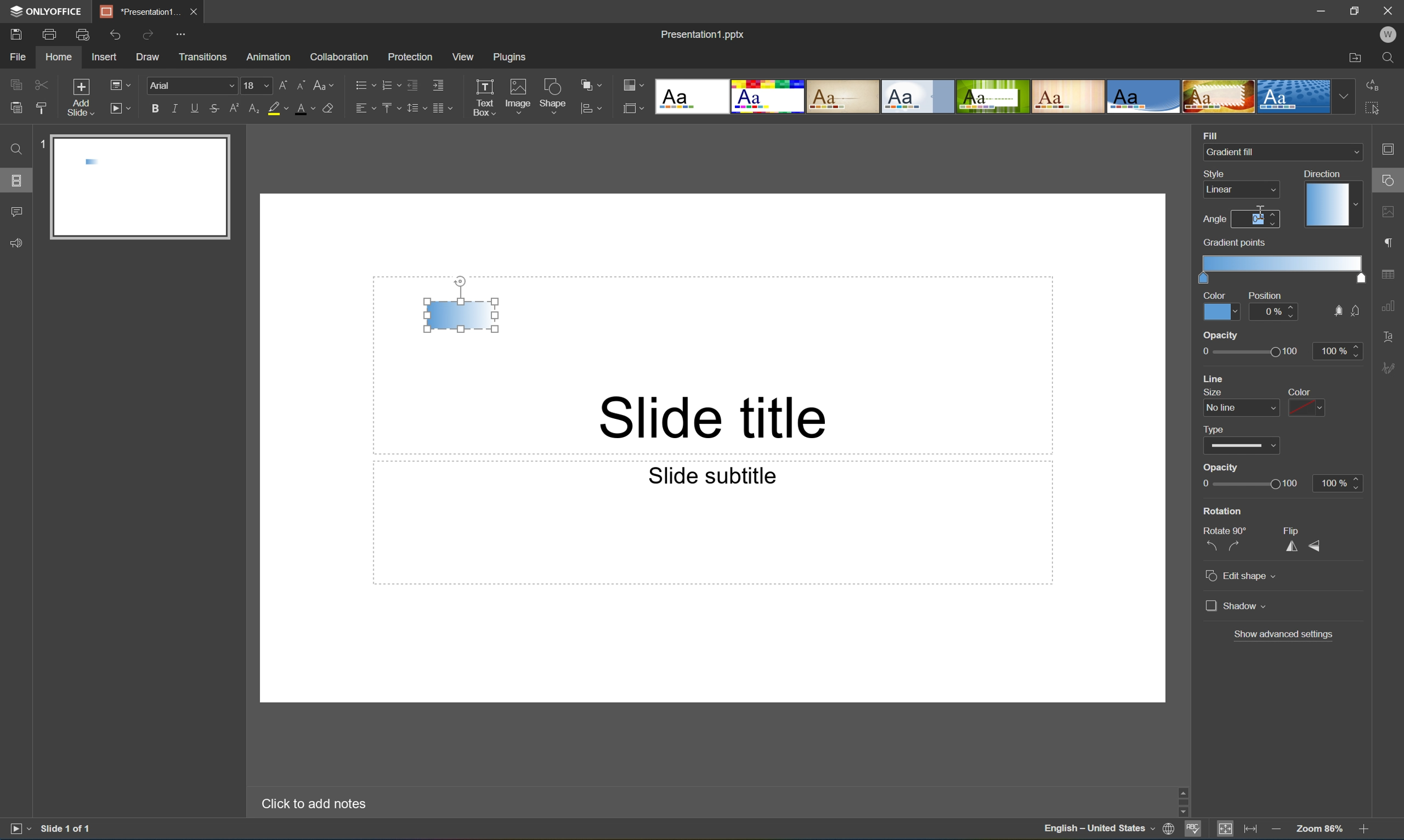 The image size is (1404, 840). I want to click on Signature settings, so click(1391, 367).